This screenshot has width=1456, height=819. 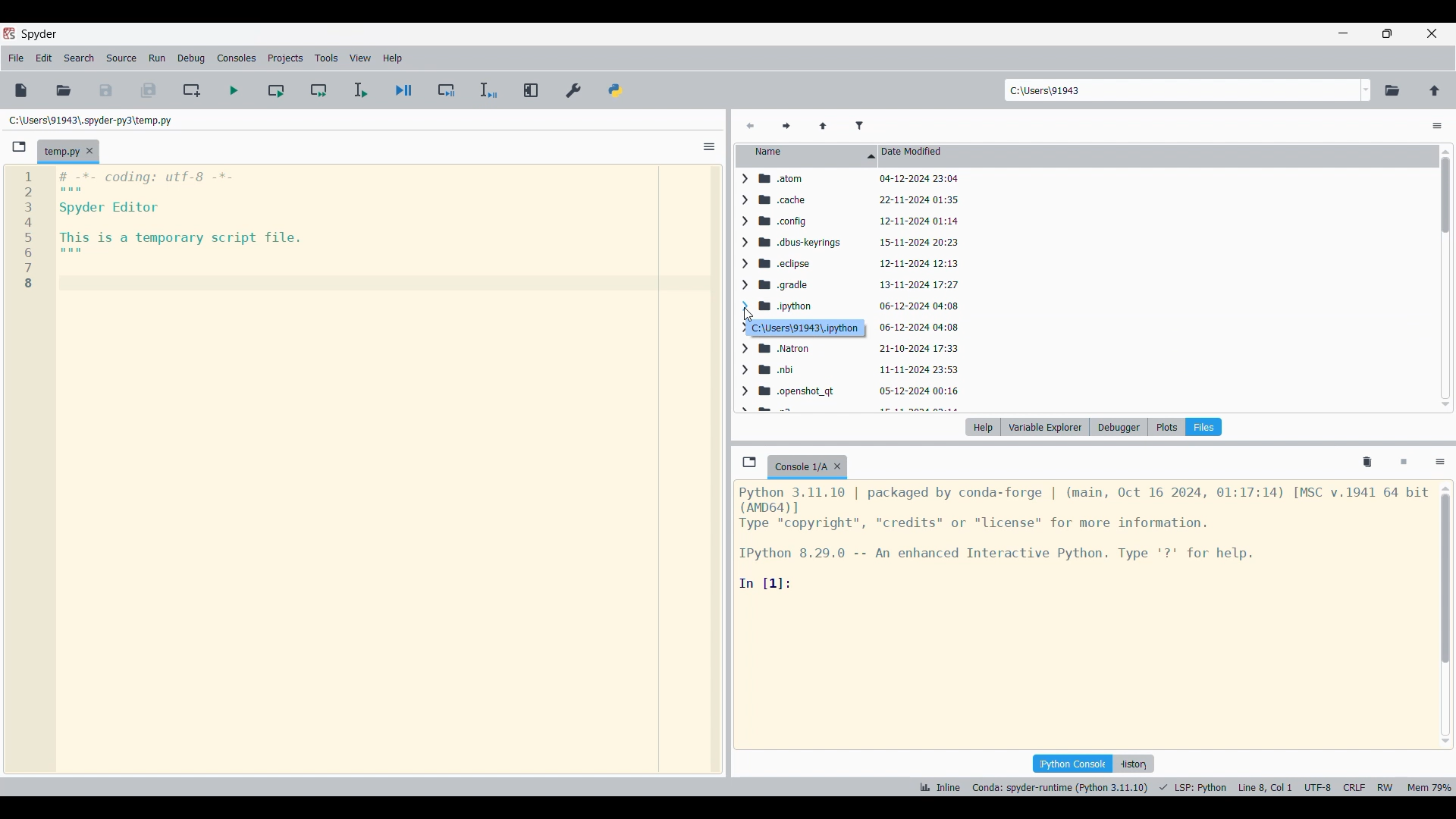 What do you see at coordinates (1072, 764) in the screenshot?
I see `IPython console` at bounding box center [1072, 764].